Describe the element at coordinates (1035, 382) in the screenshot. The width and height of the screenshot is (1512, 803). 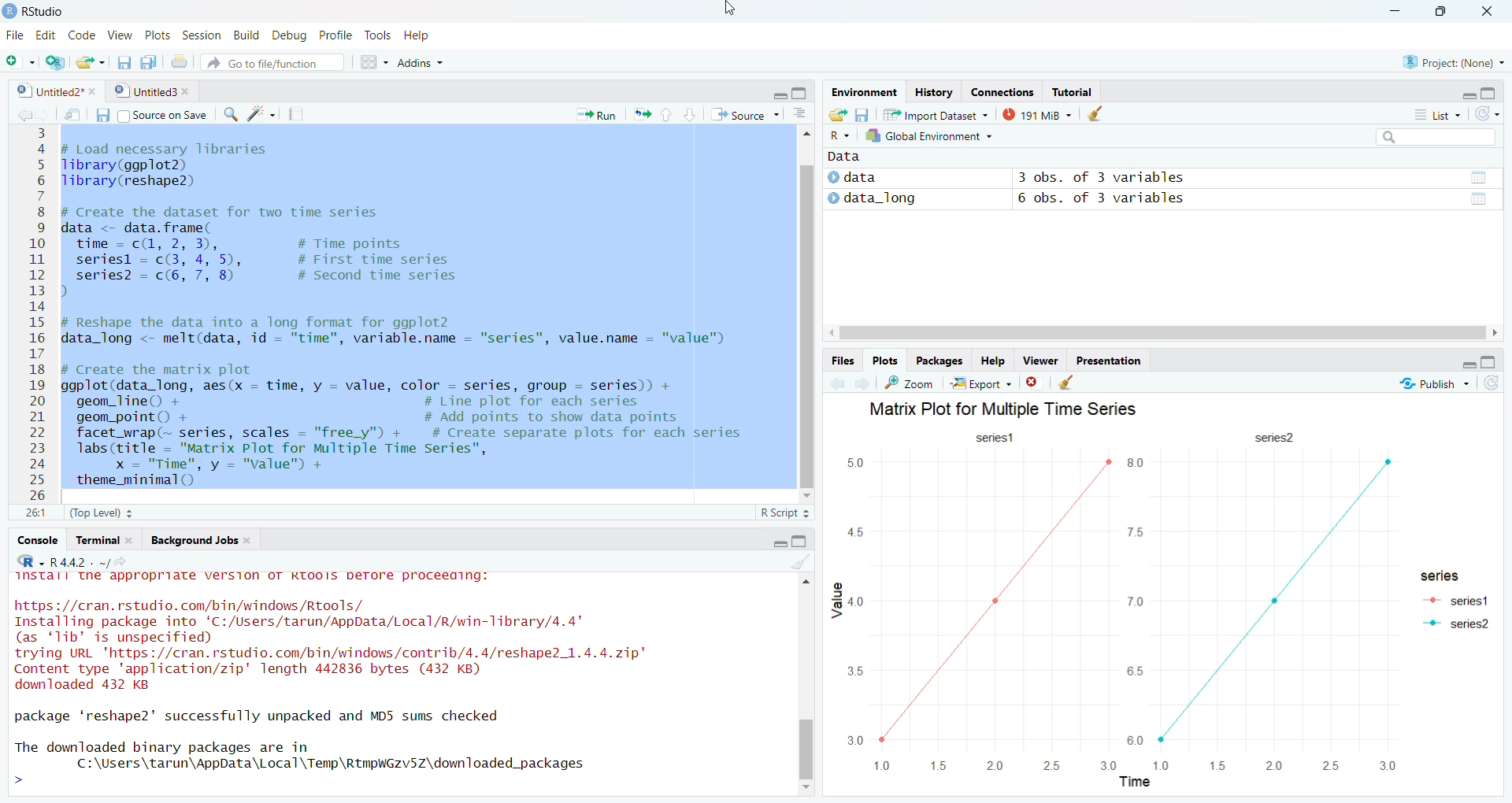
I see `close` at that location.